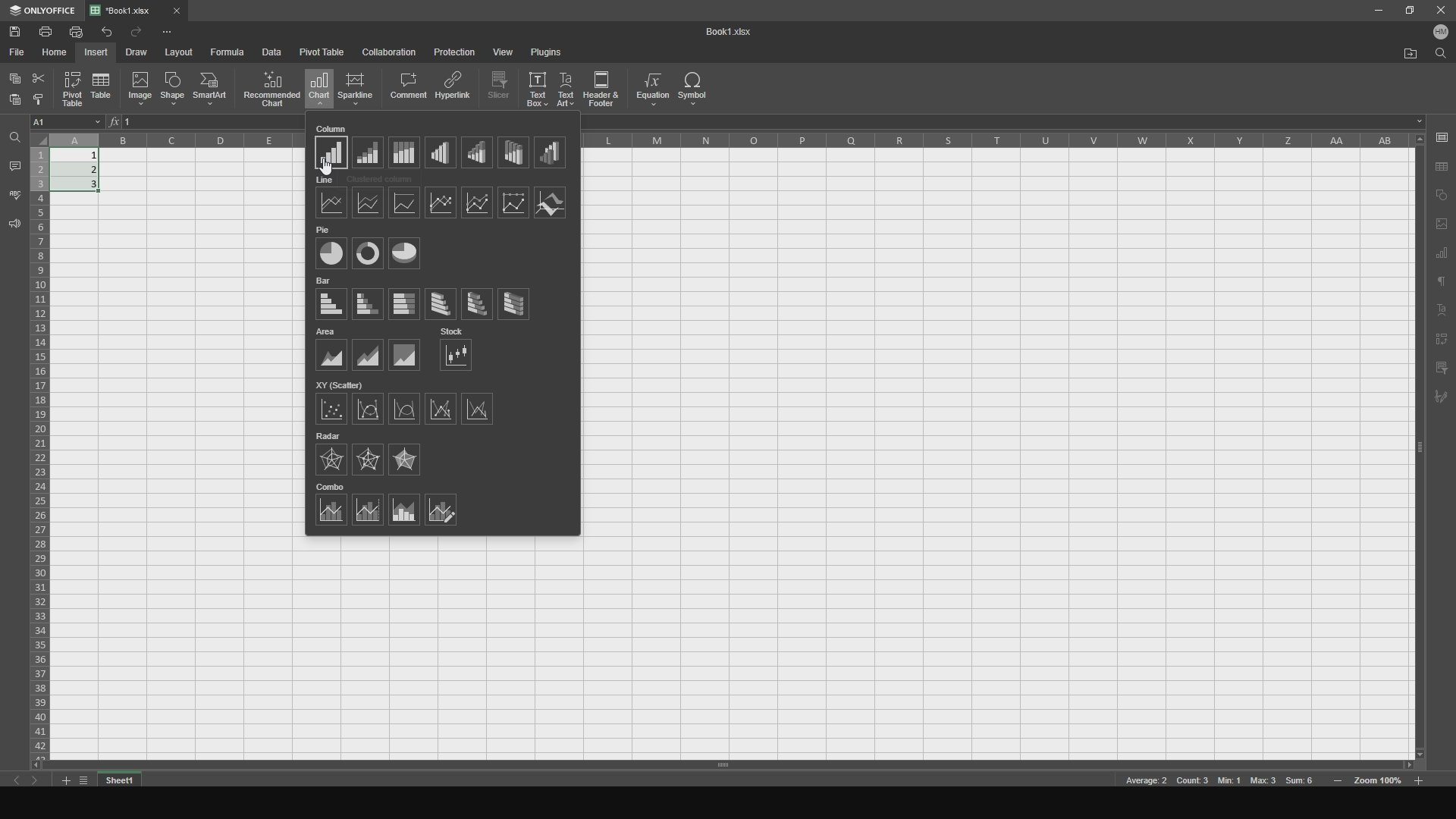  What do you see at coordinates (718, 764) in the screenshot?
I see `horizontal slider` at bounding box center [718, 764].